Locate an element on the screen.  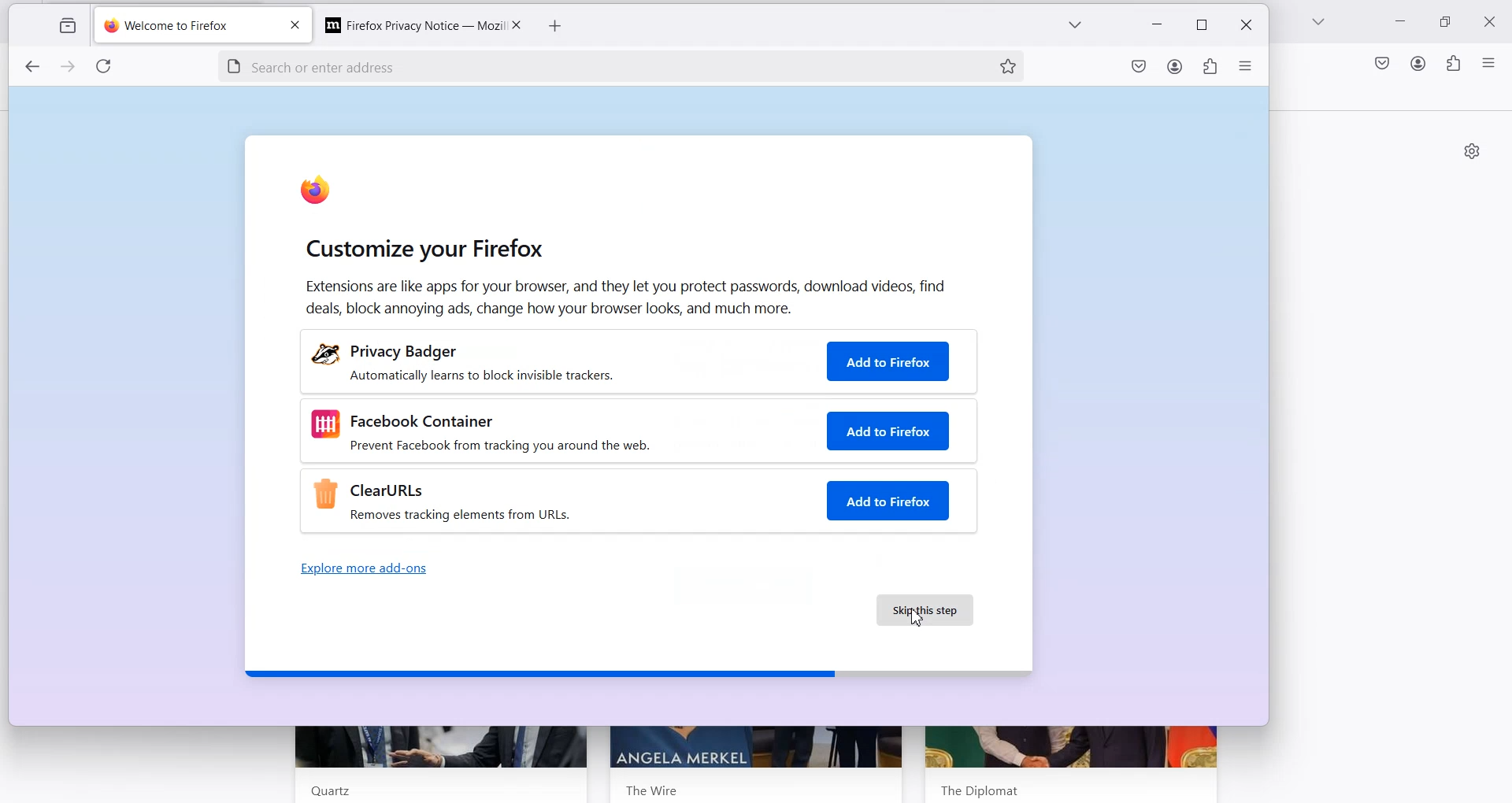
ClearURLs is located at coordinates (389, 490).